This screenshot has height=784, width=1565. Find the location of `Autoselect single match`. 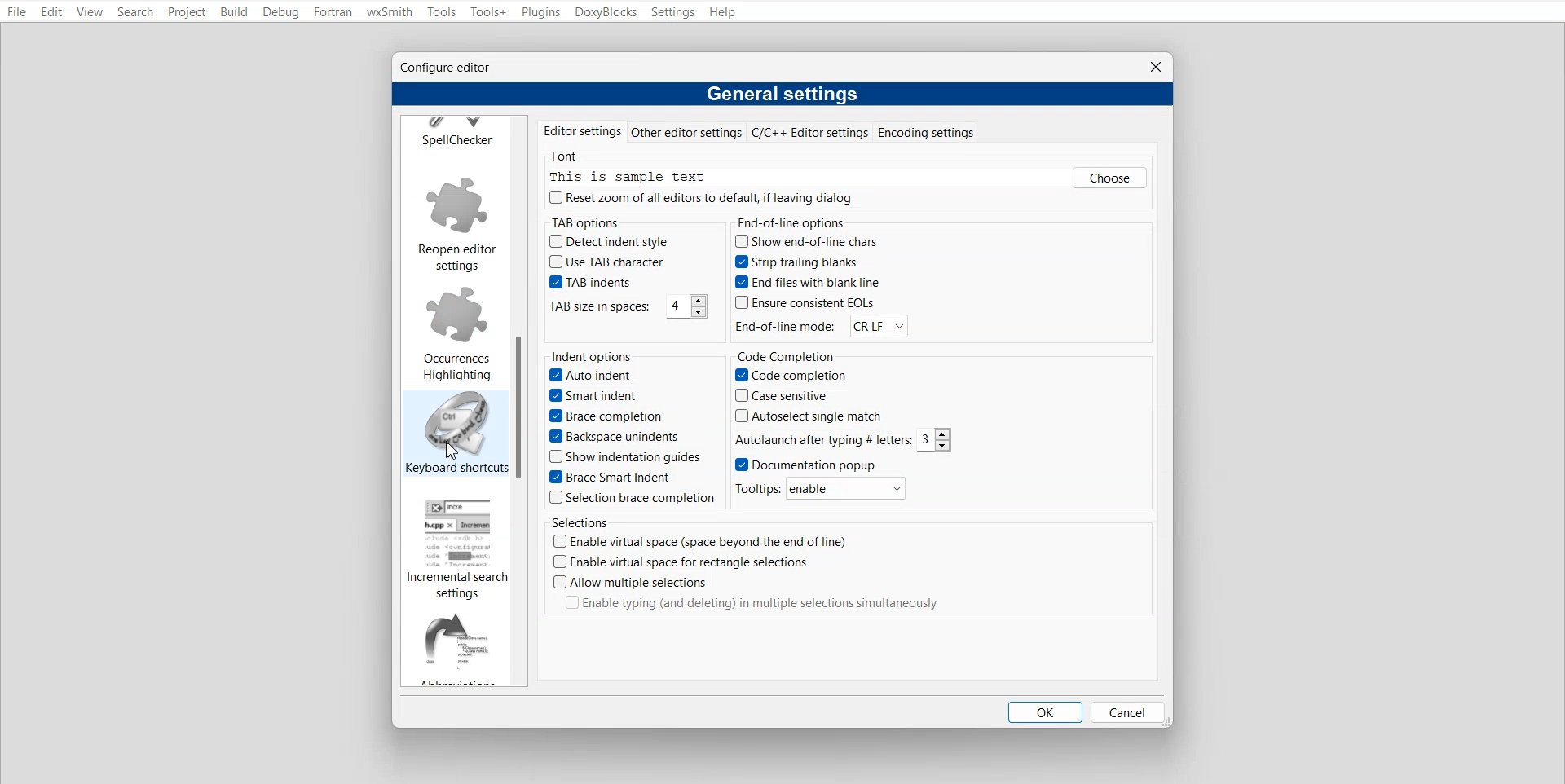

Autoselect single match is located at coordinates (808, 418).